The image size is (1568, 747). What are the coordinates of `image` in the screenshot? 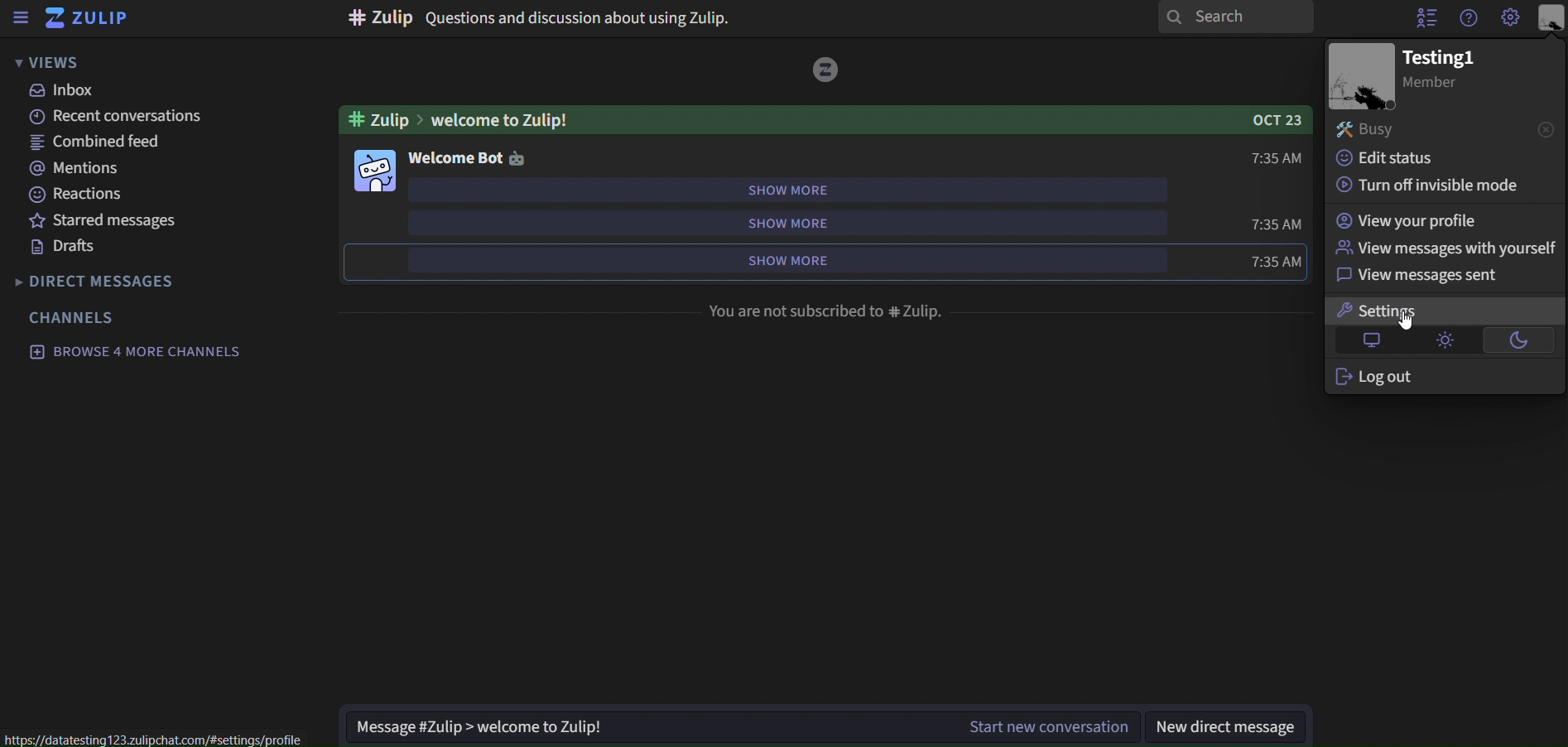 It's located at (1364, 77).